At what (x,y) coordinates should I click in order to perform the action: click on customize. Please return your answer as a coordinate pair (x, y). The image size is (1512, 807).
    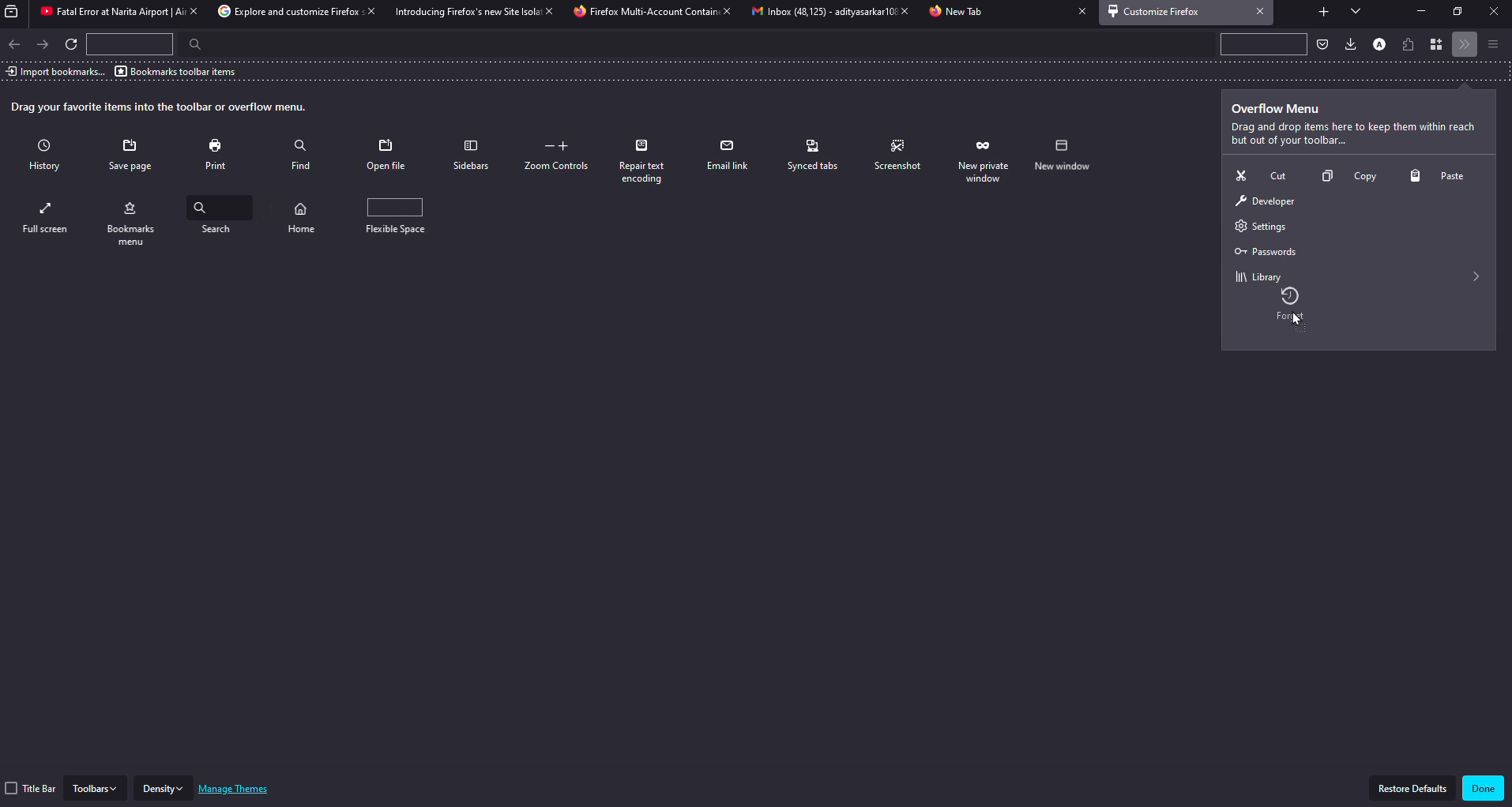
    Looking at the image, I should click on (1158, 11).